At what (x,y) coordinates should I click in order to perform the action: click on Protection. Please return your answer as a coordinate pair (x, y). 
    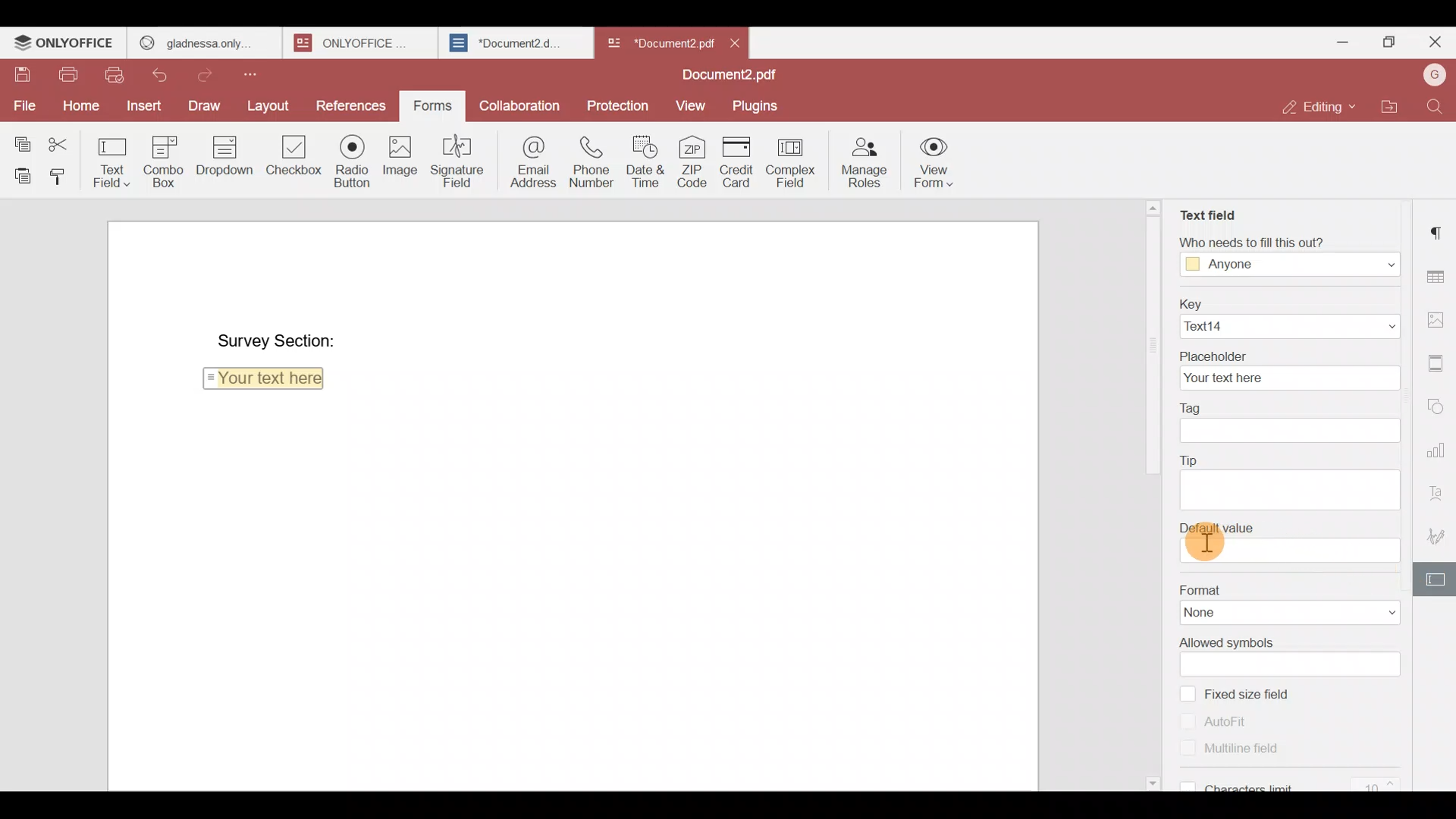
    Looking at the image, I should click on (619, 104).